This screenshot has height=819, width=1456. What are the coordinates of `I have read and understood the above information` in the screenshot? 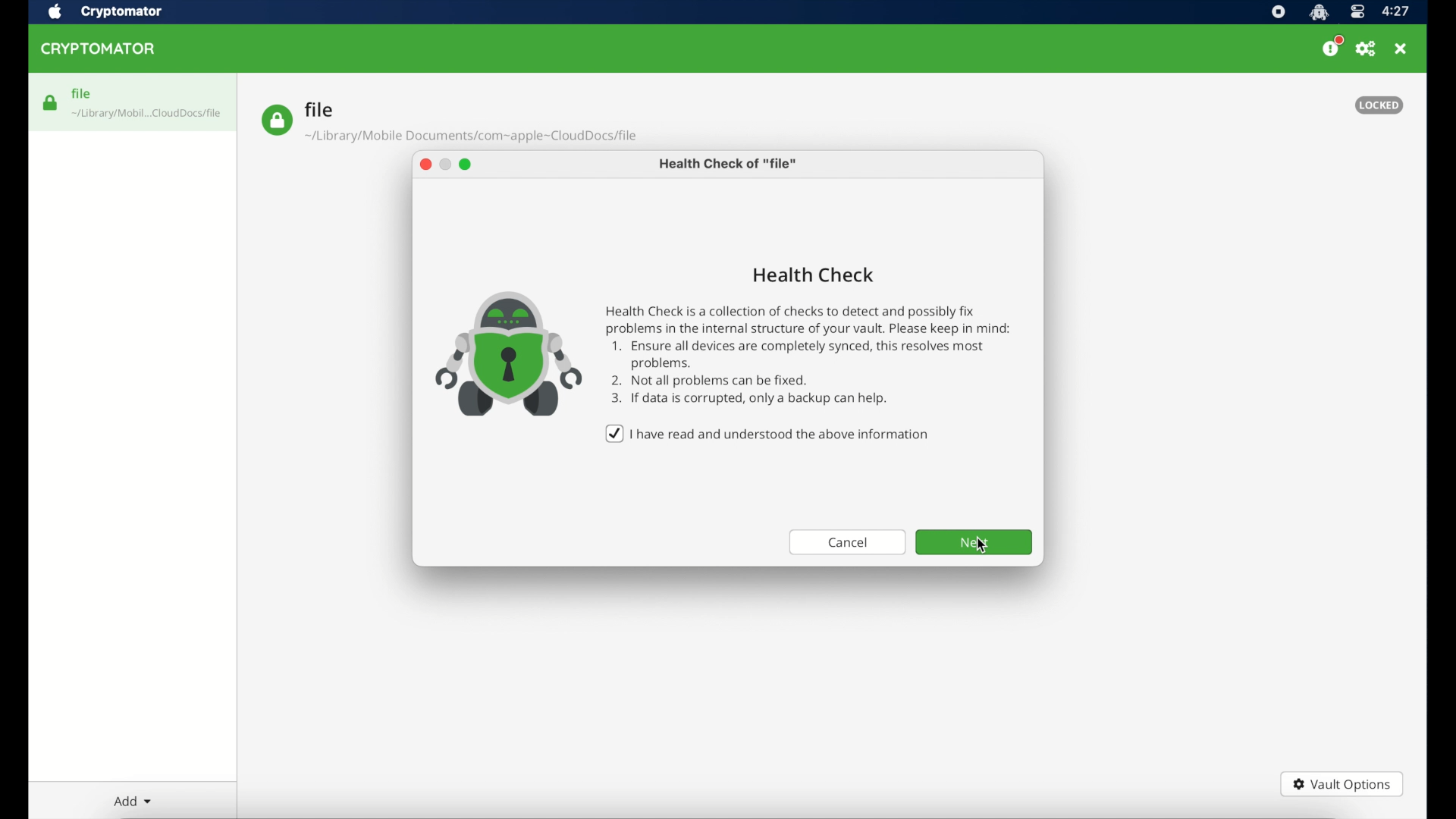 It's located at (783, 434).